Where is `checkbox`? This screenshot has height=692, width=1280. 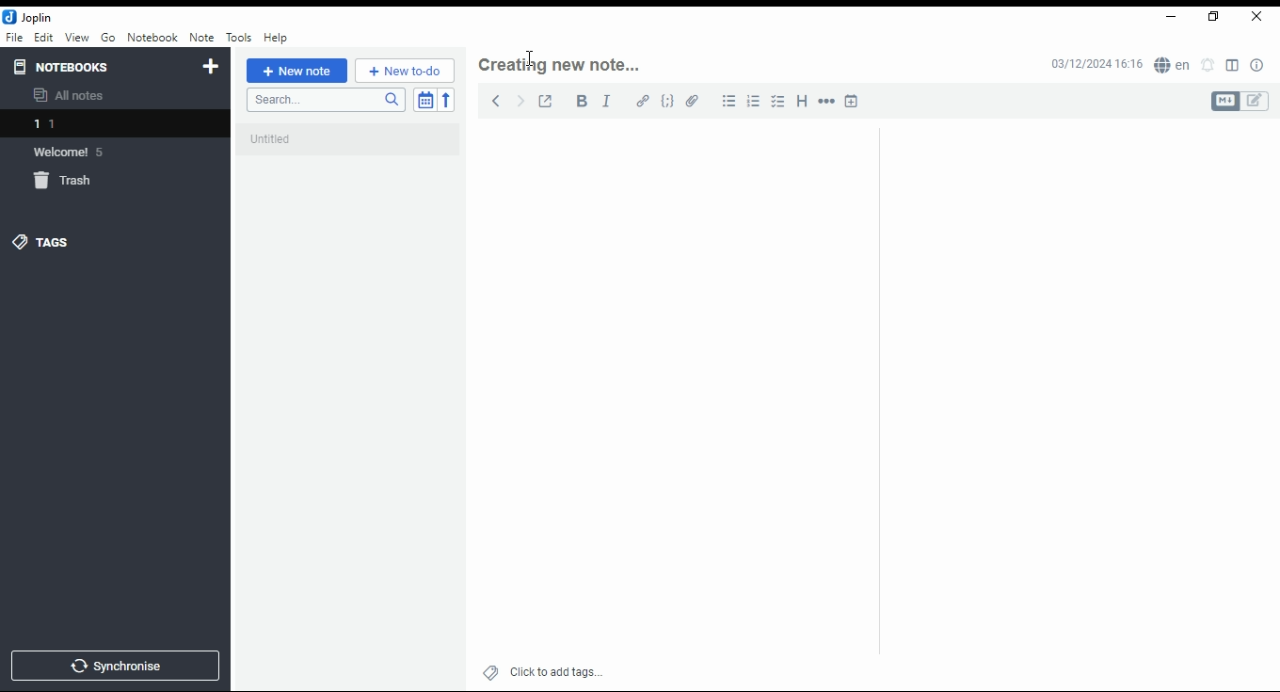 checkbox is located at coordinates (776, 103).